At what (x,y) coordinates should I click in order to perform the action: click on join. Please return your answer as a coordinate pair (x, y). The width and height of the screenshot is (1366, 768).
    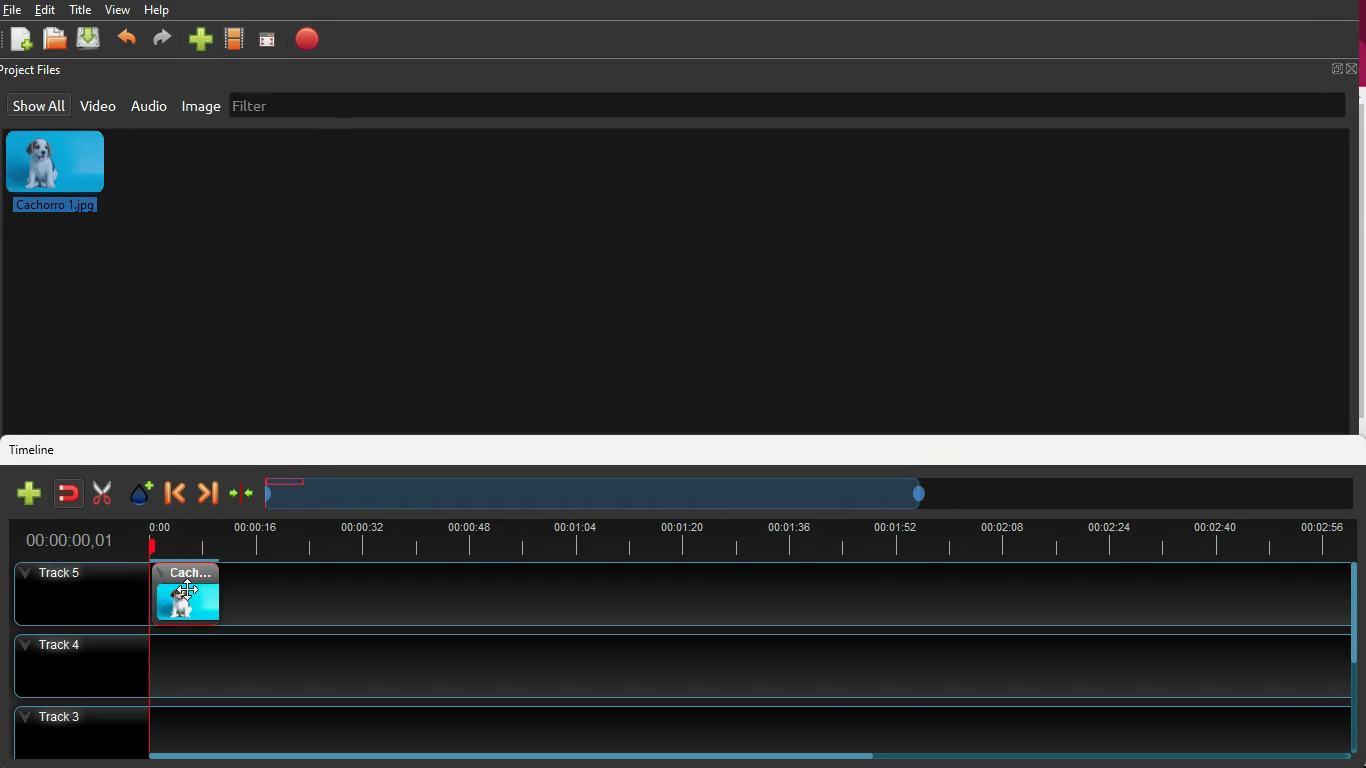
    Looking at the image, I should click on (70, 493).